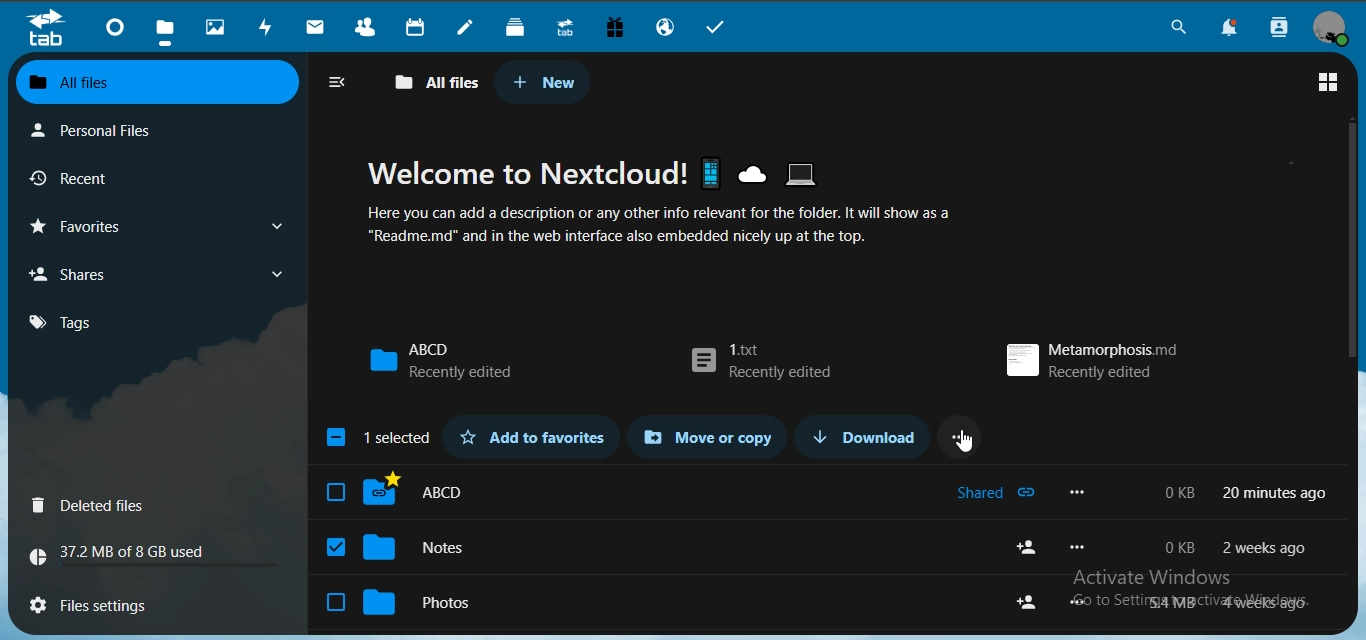 The image size is (1366, 640). Describe the element at coordinates (862, 436) in the screenshot. I see `download` at that location.